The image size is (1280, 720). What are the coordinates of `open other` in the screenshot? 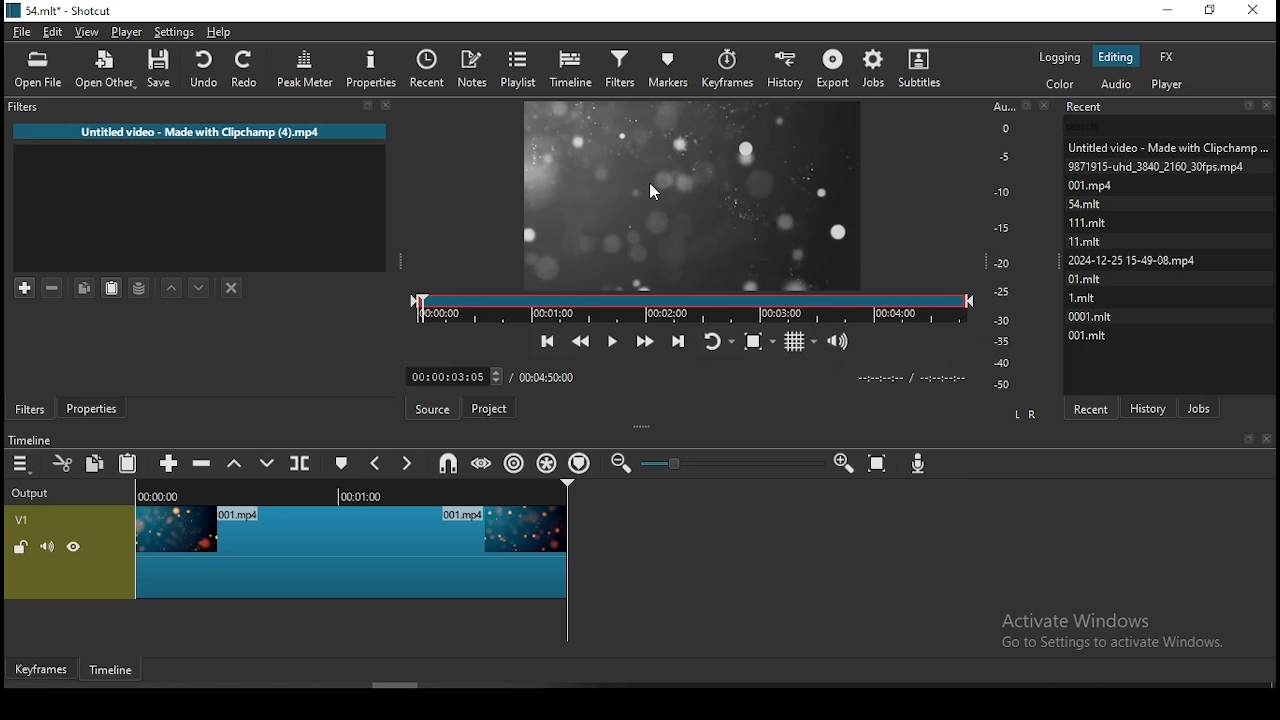 It's located at (106, 72).